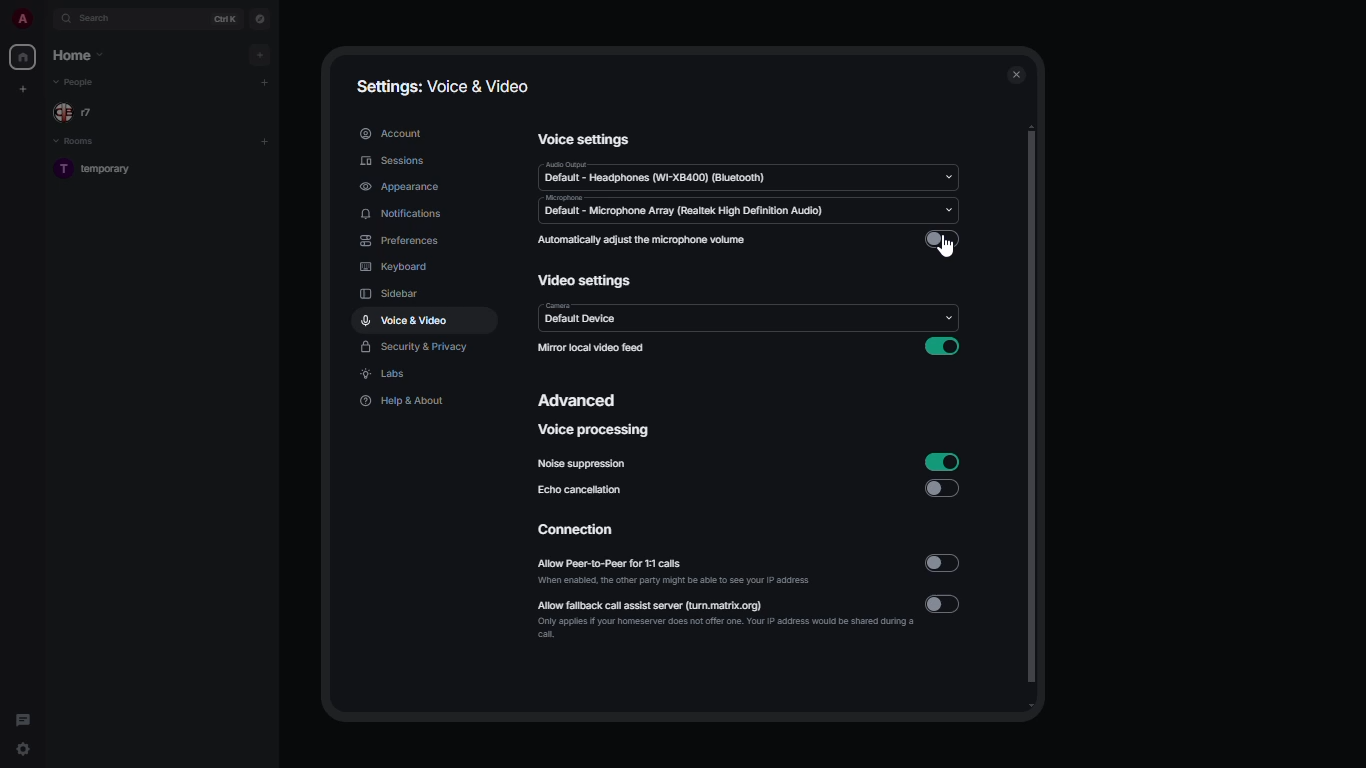 This screenshot has height=768, width=1366. I want to click on allow peer-to-peer for 1:1 calls, so click(677, 573).